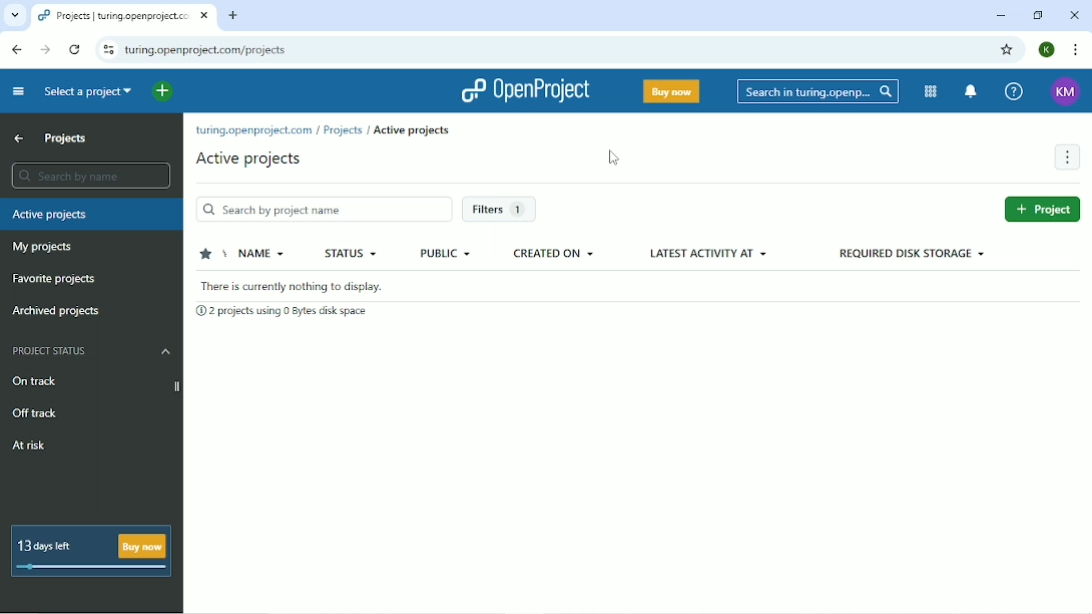 This screenshot has width=1092, height=614. Describe the element at coordinates (451, 254) in the screenshot. I see `Public` at that location.